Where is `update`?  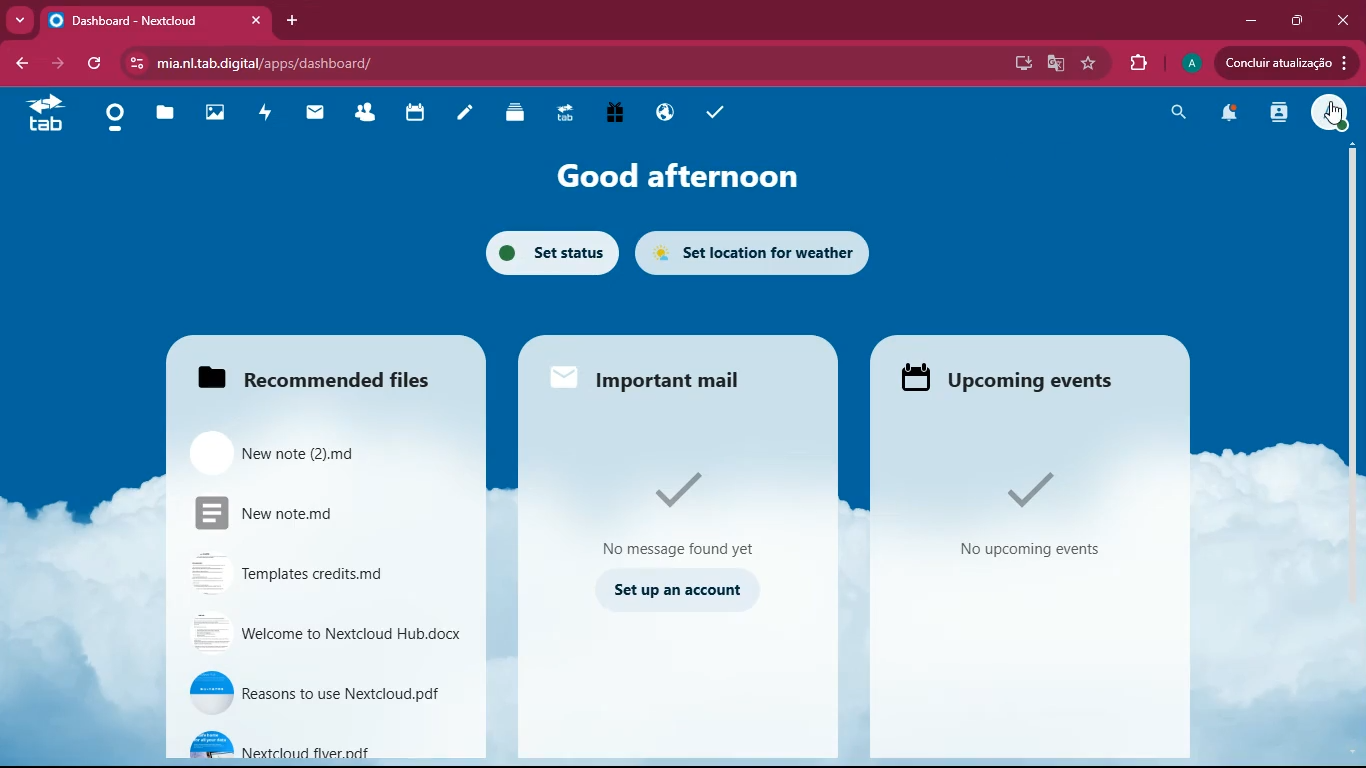
update is located at coordinates (1281, 63).